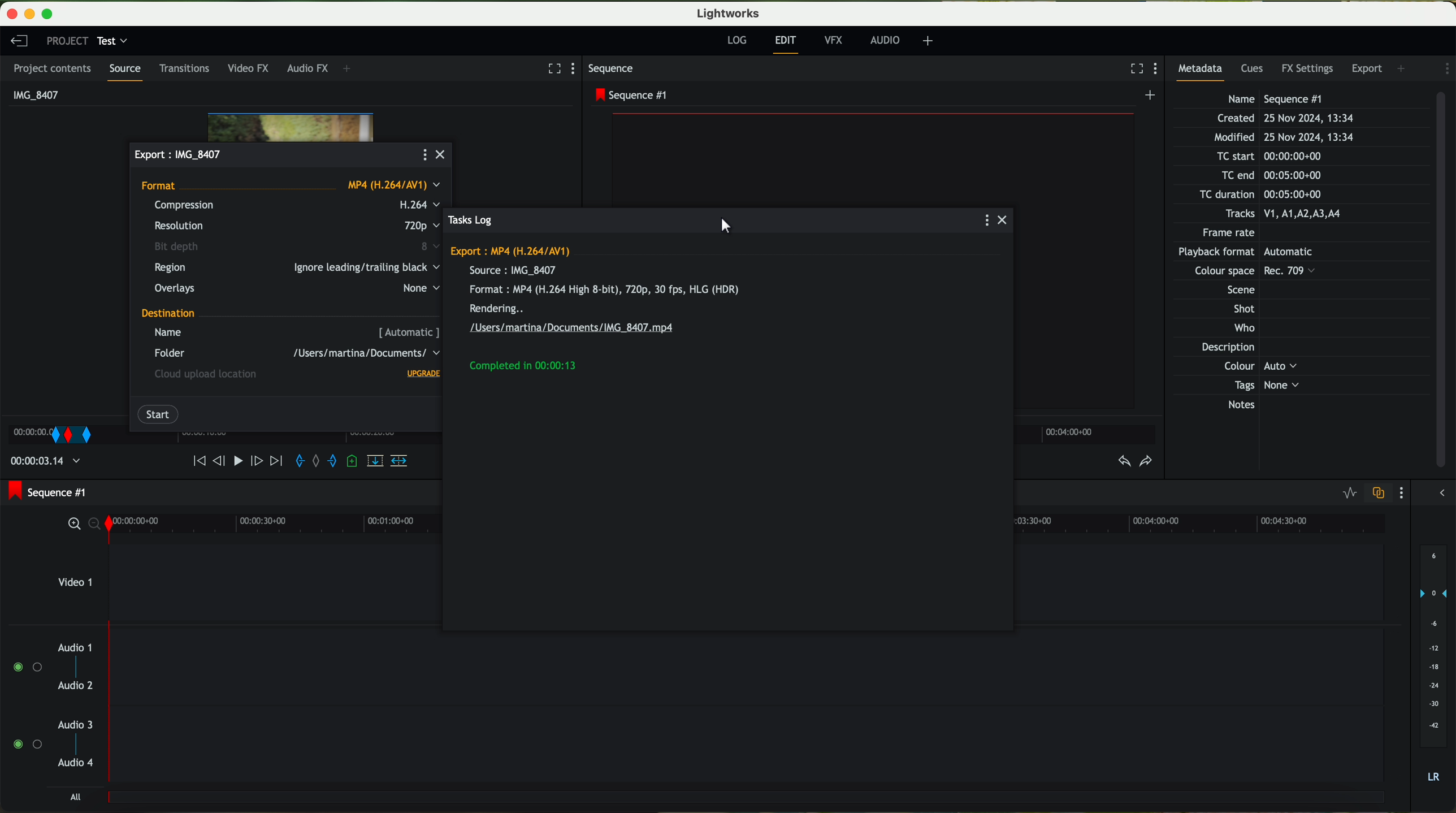 The width and height of the screenshot is (1456, 813). What do you see at coordinates (299, 268) in the screenshot?
I see `region` at bounding box center [299, 268].